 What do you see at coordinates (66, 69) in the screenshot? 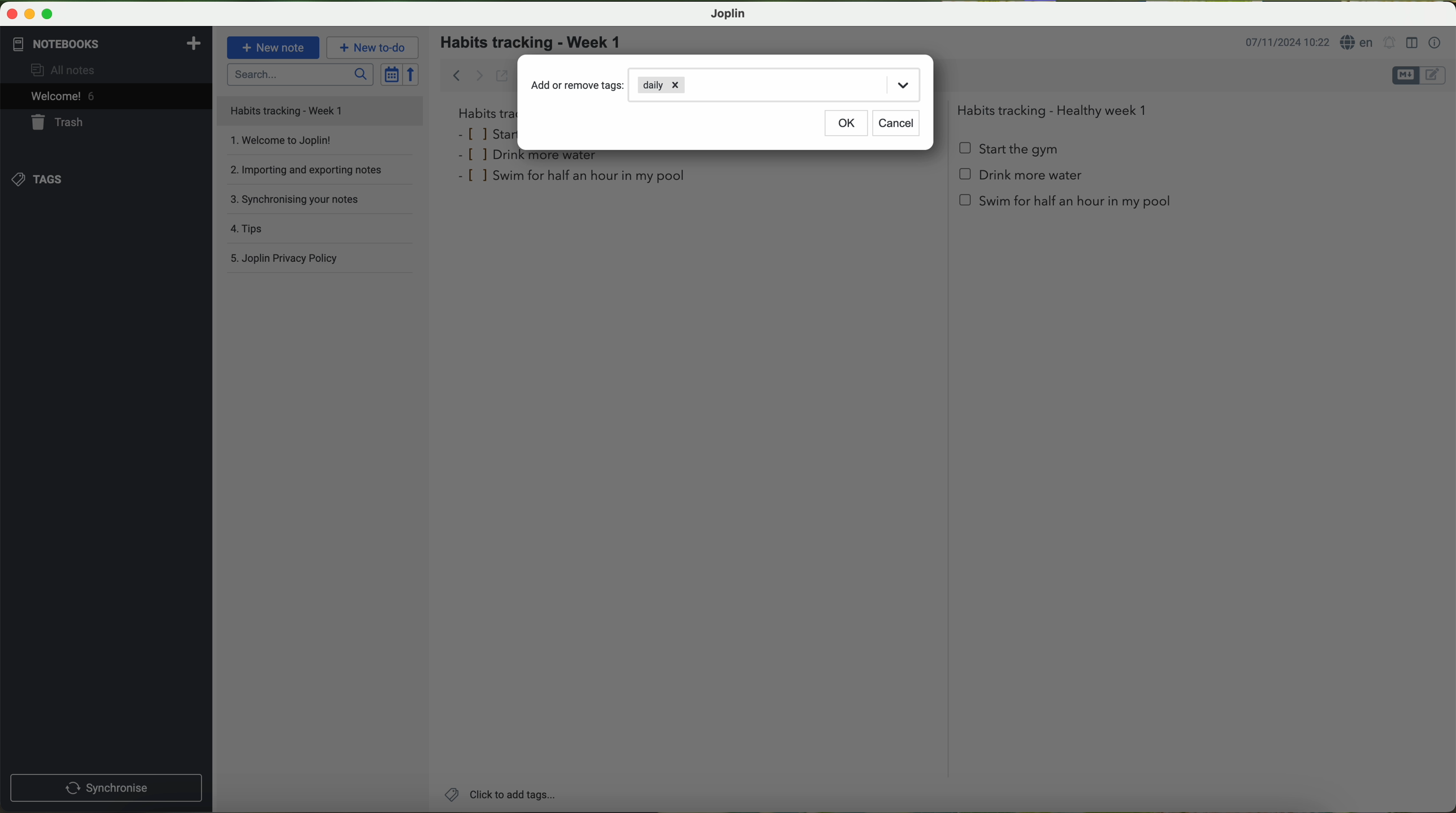
I see `all notes` at bounding box center [66, 69].